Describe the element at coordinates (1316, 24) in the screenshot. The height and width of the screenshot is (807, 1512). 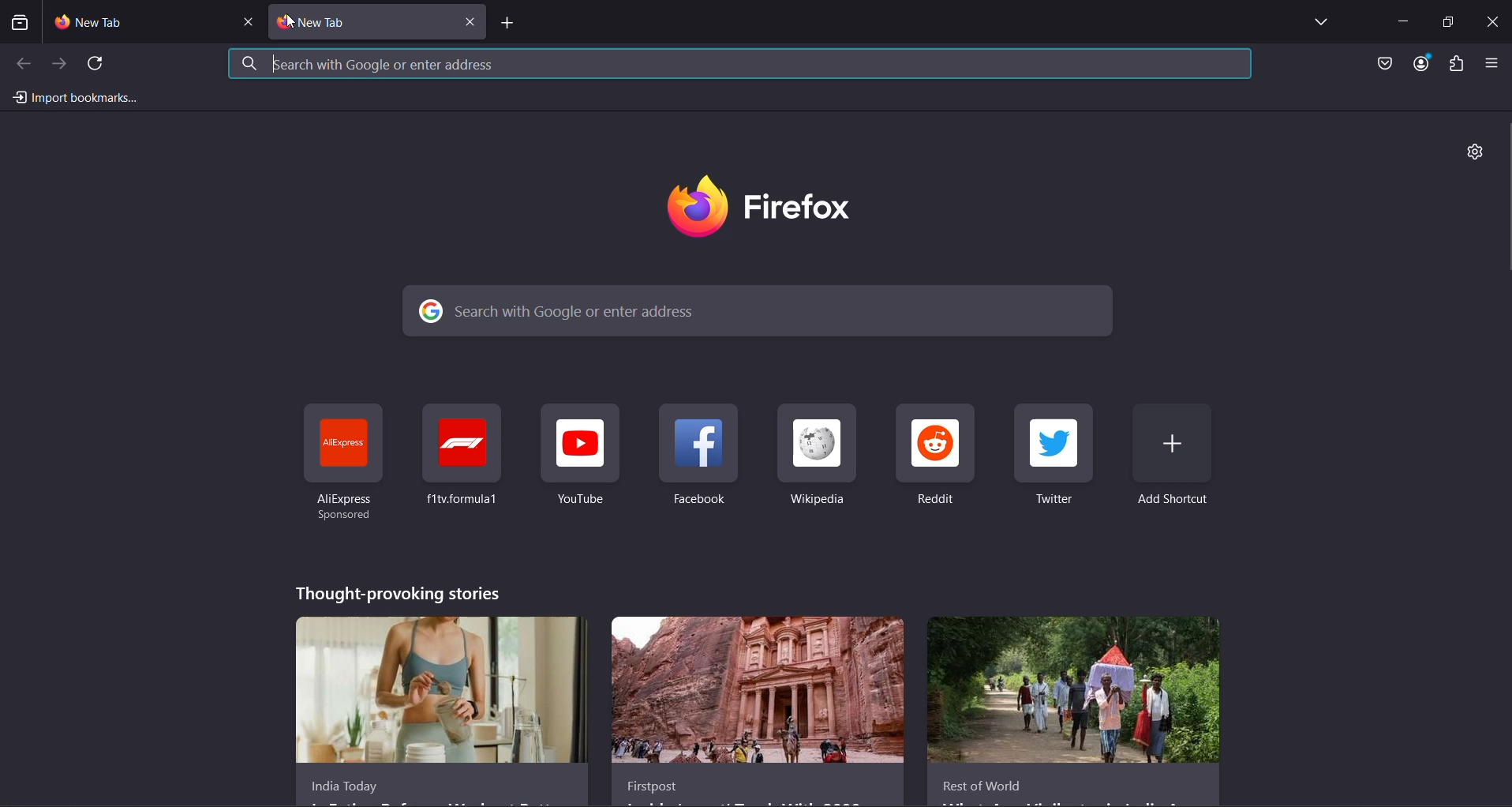
I see `list all tabs` at that location.